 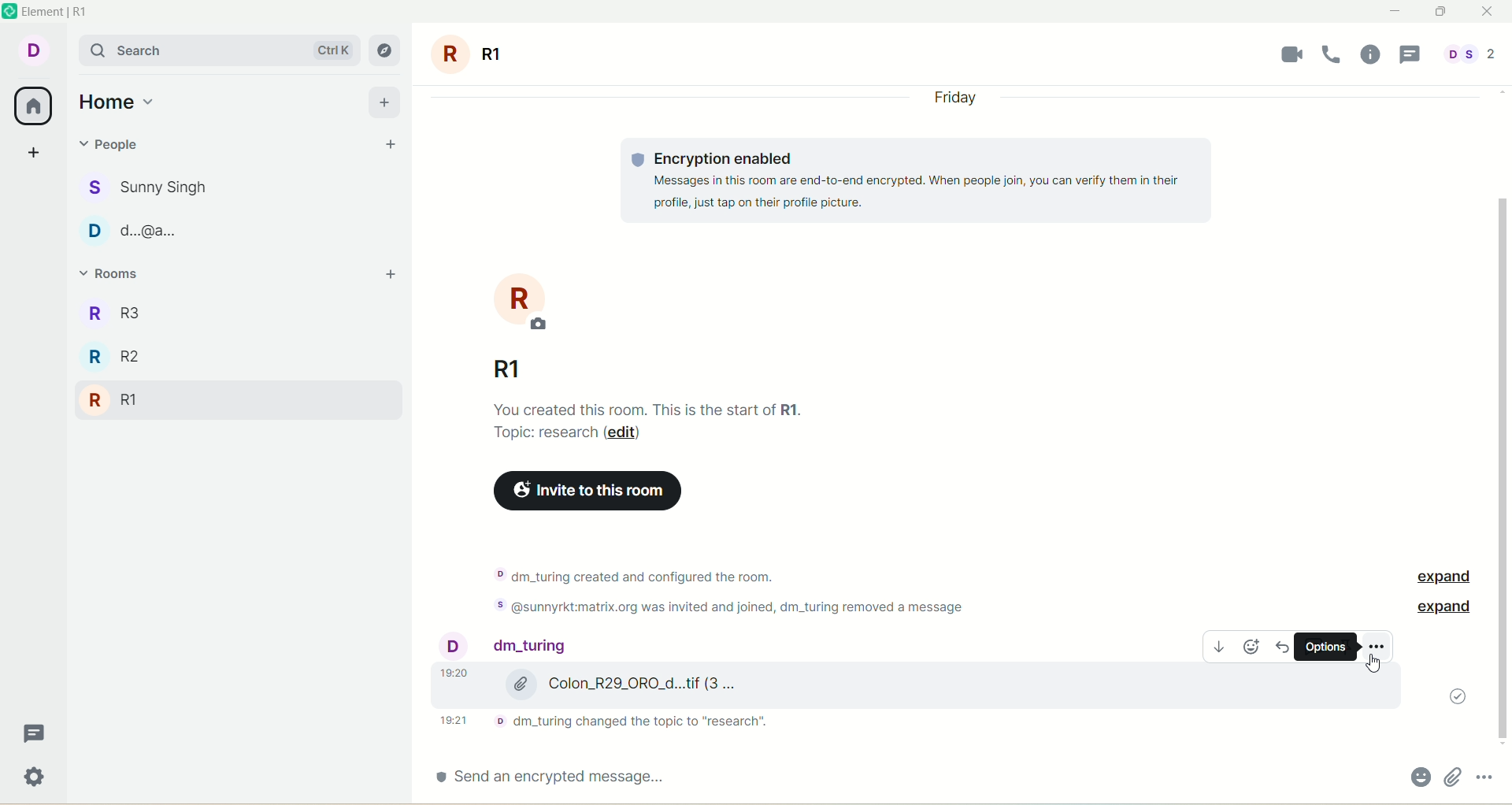 I want to click on download, so click(x=1210, y=644).